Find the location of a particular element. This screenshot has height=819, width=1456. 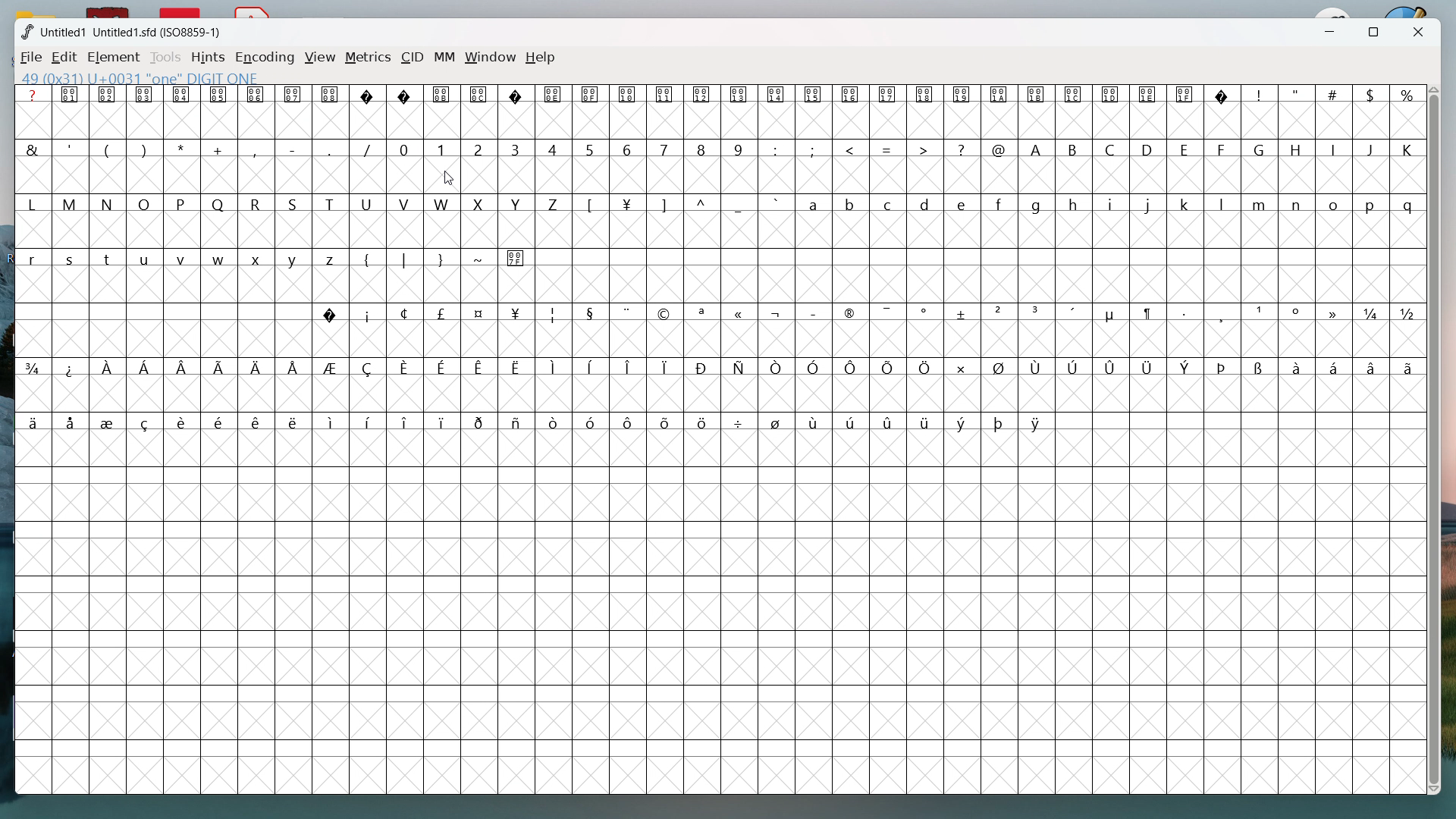

symbol is located at coordinates (1074, 312).